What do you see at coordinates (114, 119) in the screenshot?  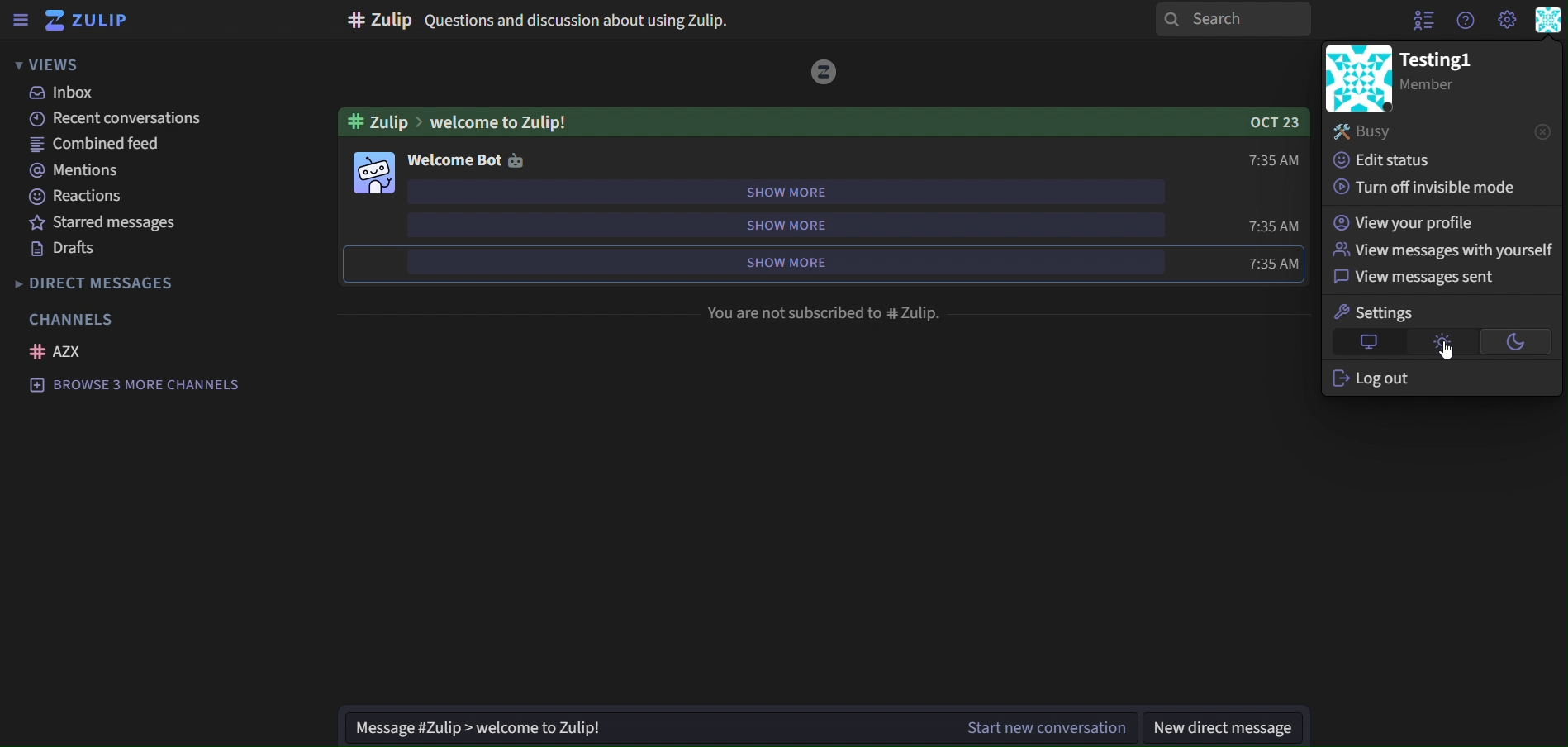 I see `recent conversations` at bounding box center [114, 119].